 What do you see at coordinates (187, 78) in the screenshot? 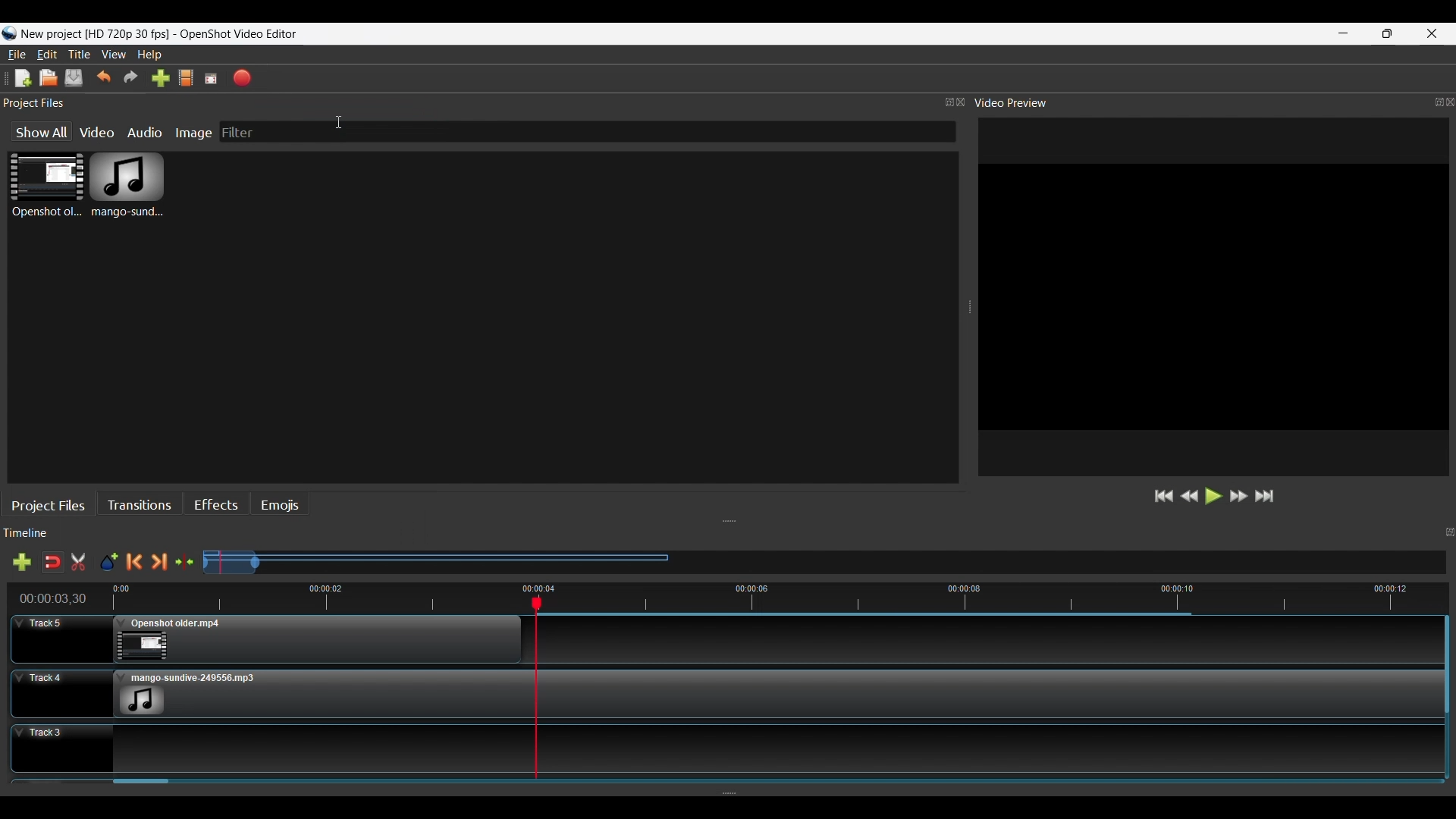
I see `Choose Profile` at bounding box center [187, 78].